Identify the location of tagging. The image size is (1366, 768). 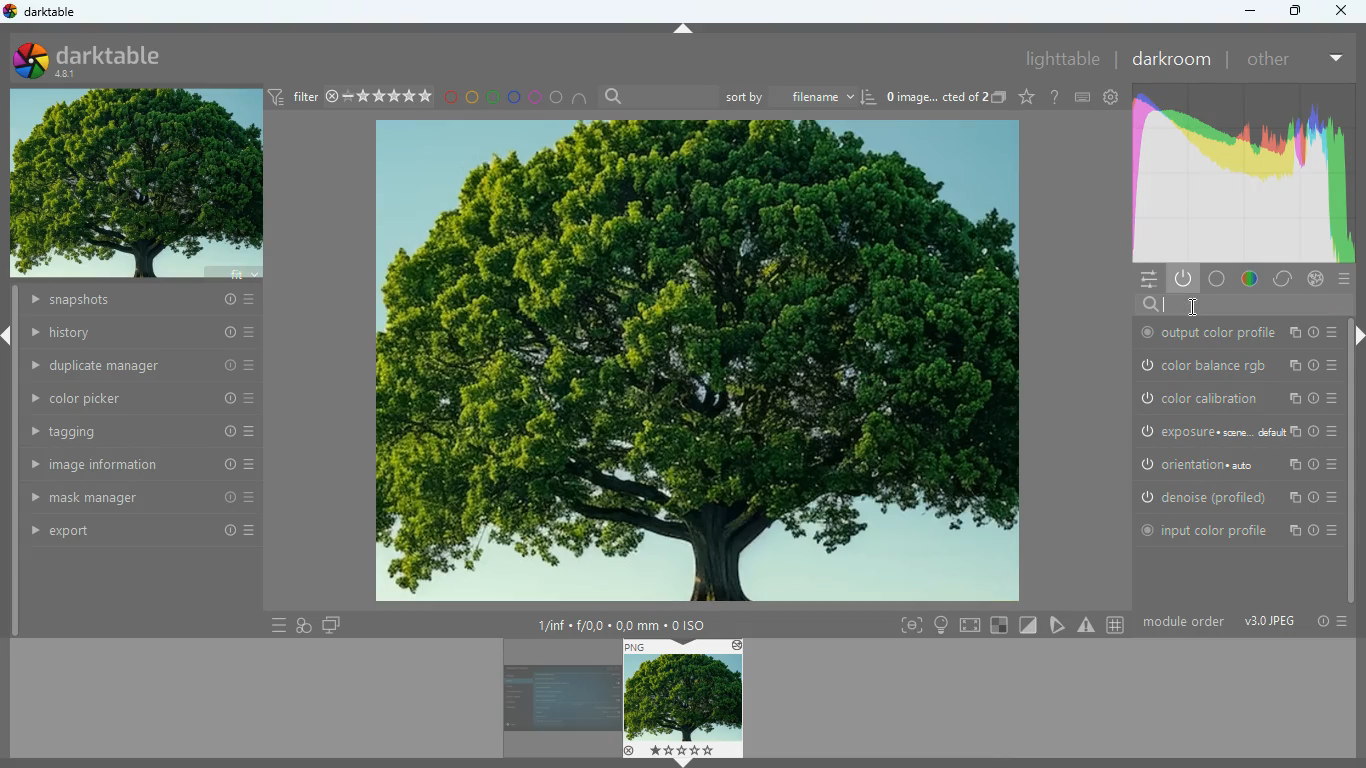
(143, 433).